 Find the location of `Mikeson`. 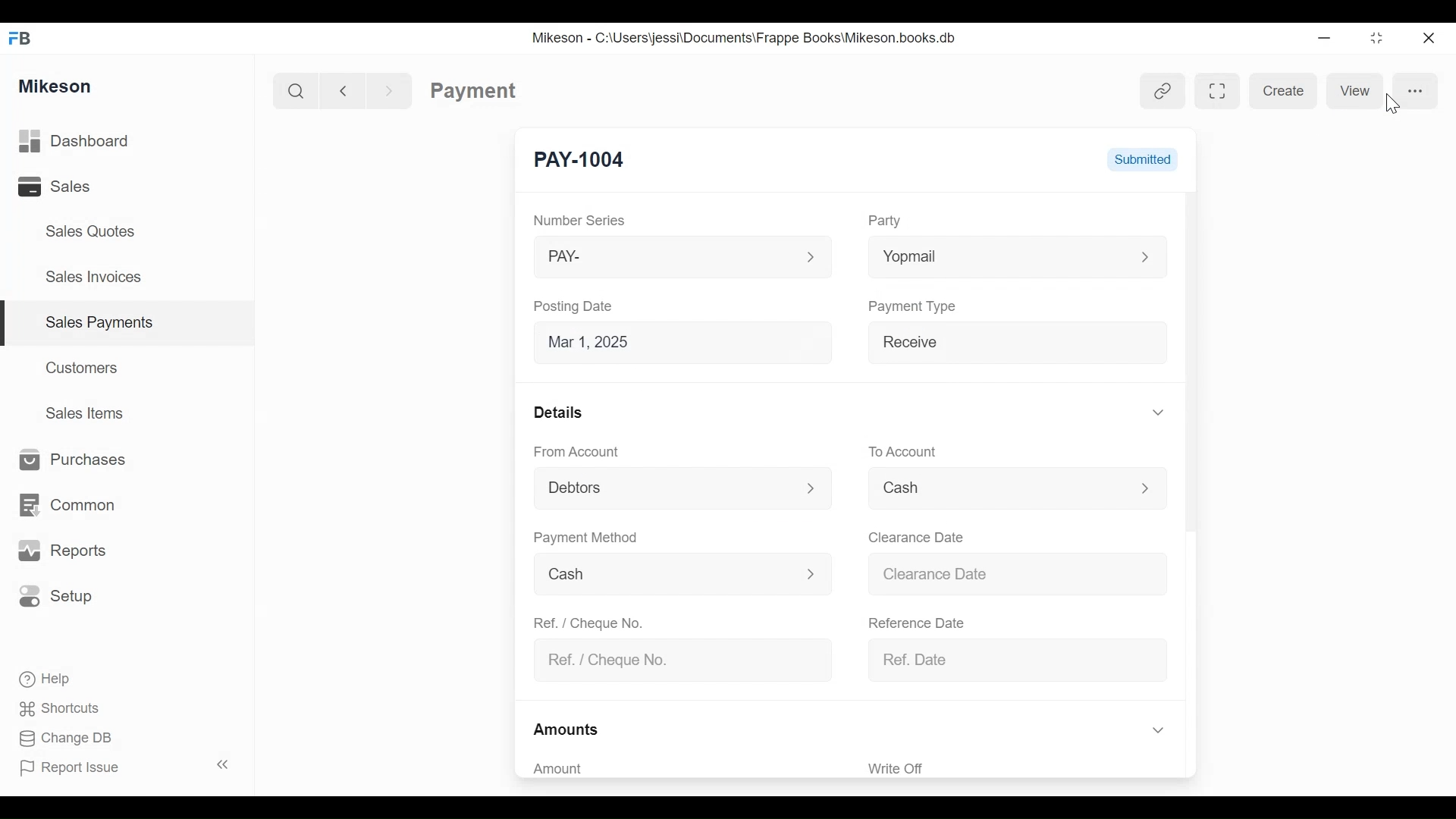

Mikeson is located at coordinates (56, 84).